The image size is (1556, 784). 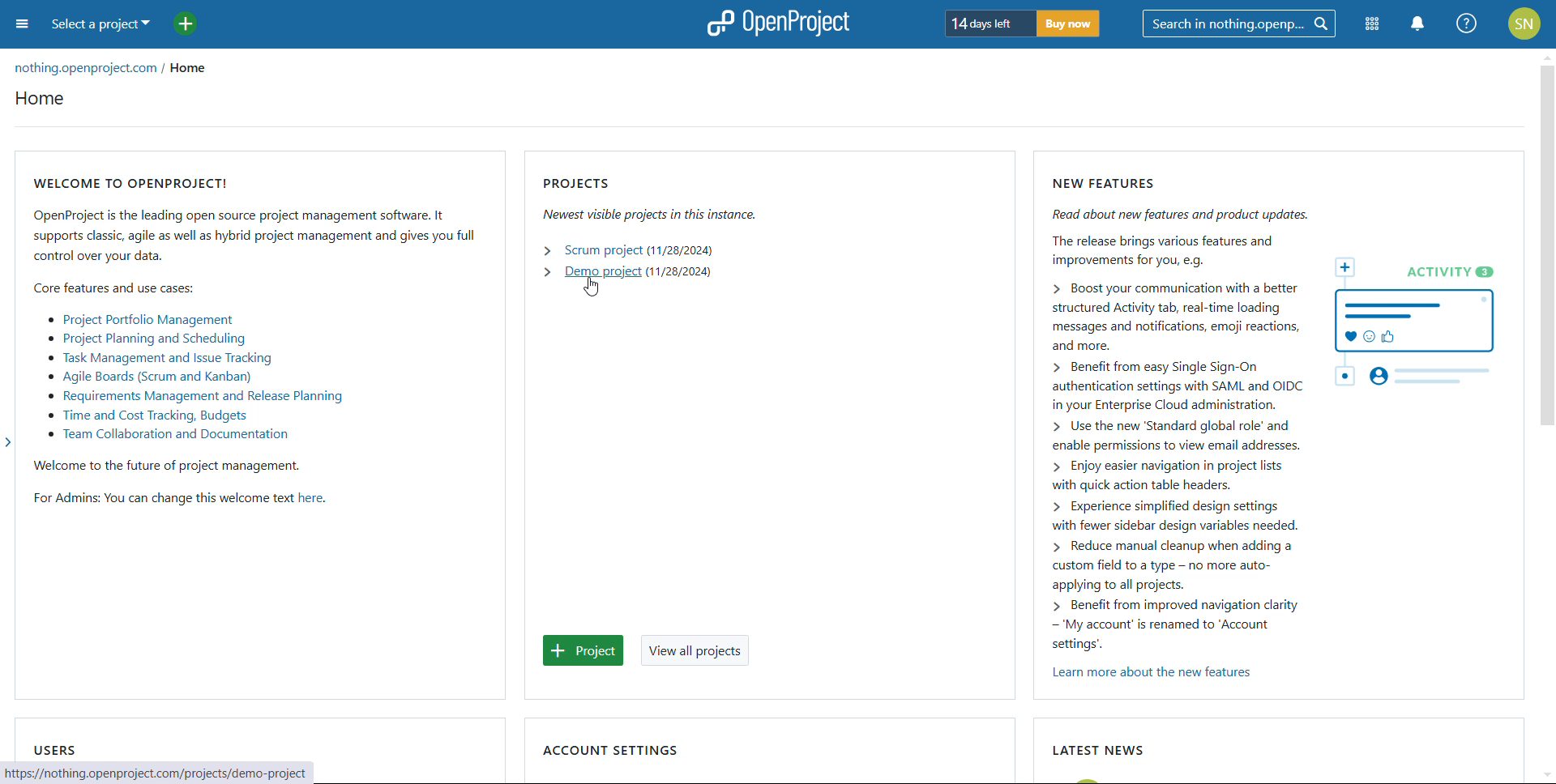 What do you see at coordinates (609, 751) in the screenshot?
I see `account settings` at bounding box center [609, 751].